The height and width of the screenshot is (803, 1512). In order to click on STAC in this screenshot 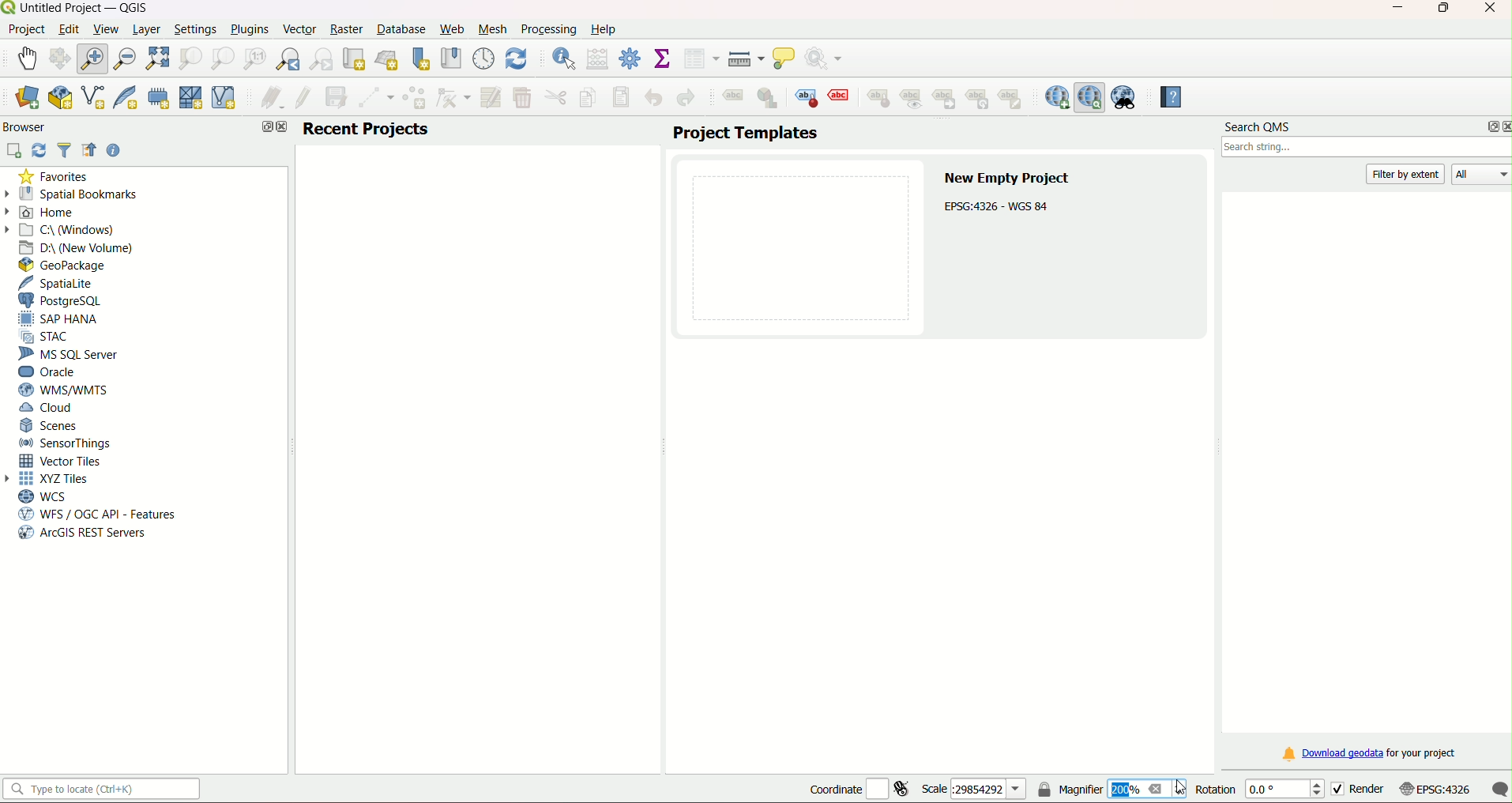, I will do `click(50, 337)`.